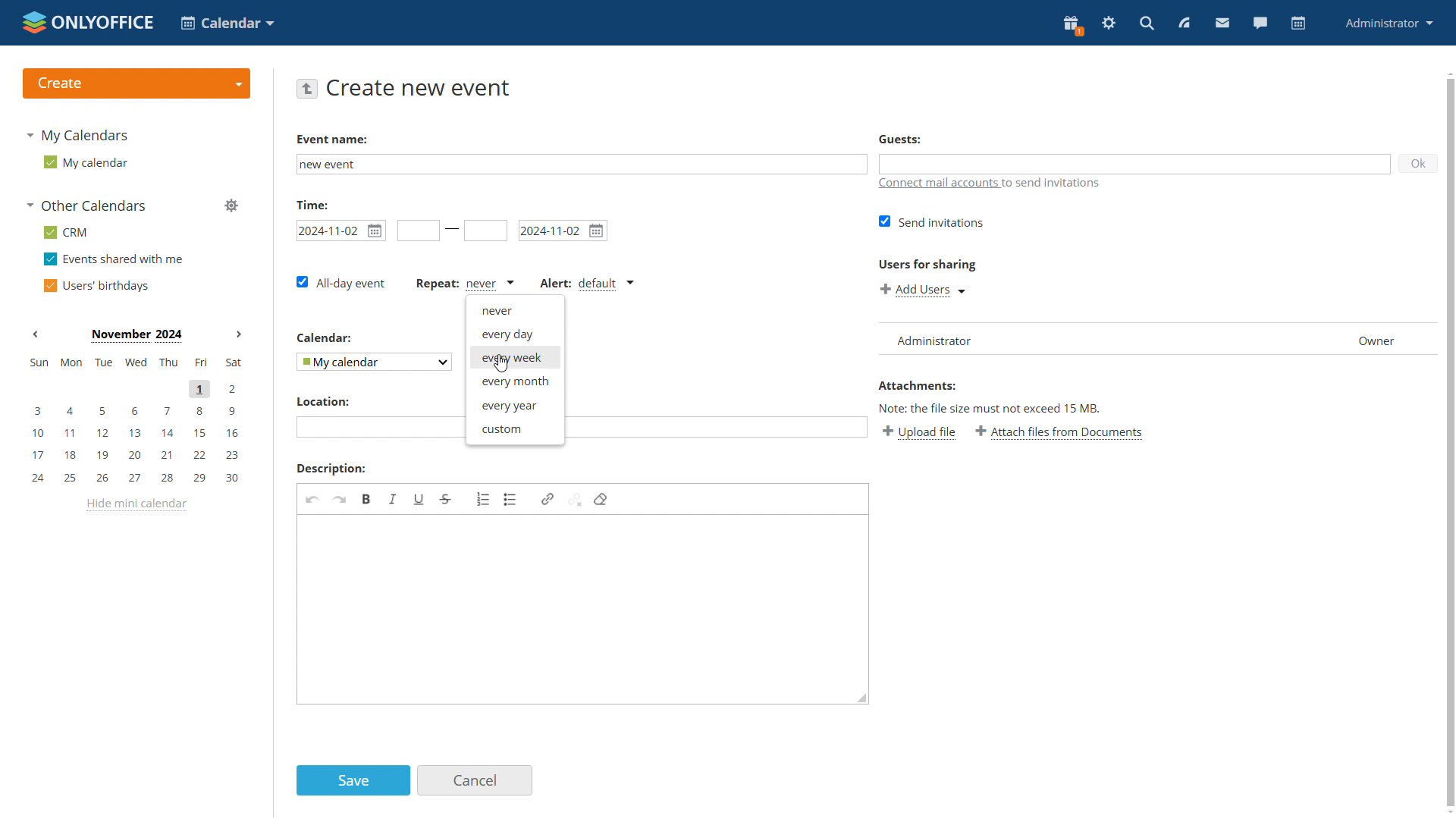 Image resolution: width=1456 pixels, height=819 pixels. I want to click on scroll -up, so click(1447, 71).